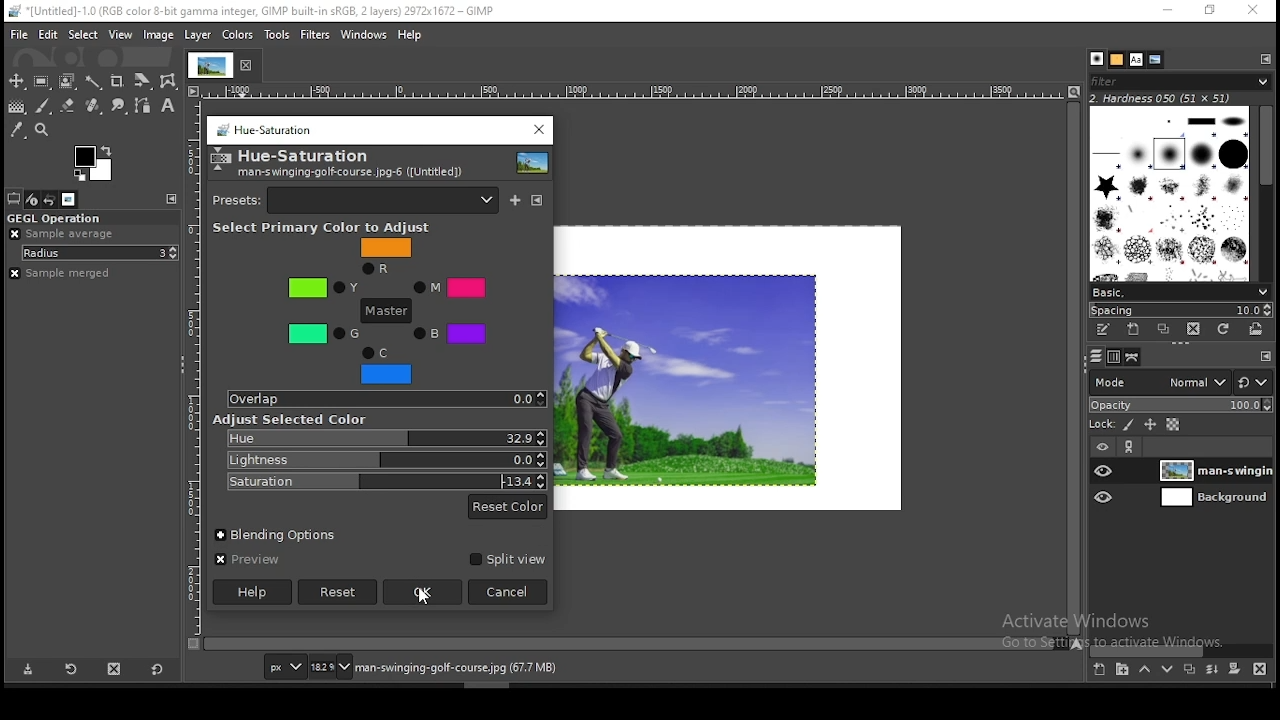 The image size is (1280, 720). I want to click on G, so click(323, 334).